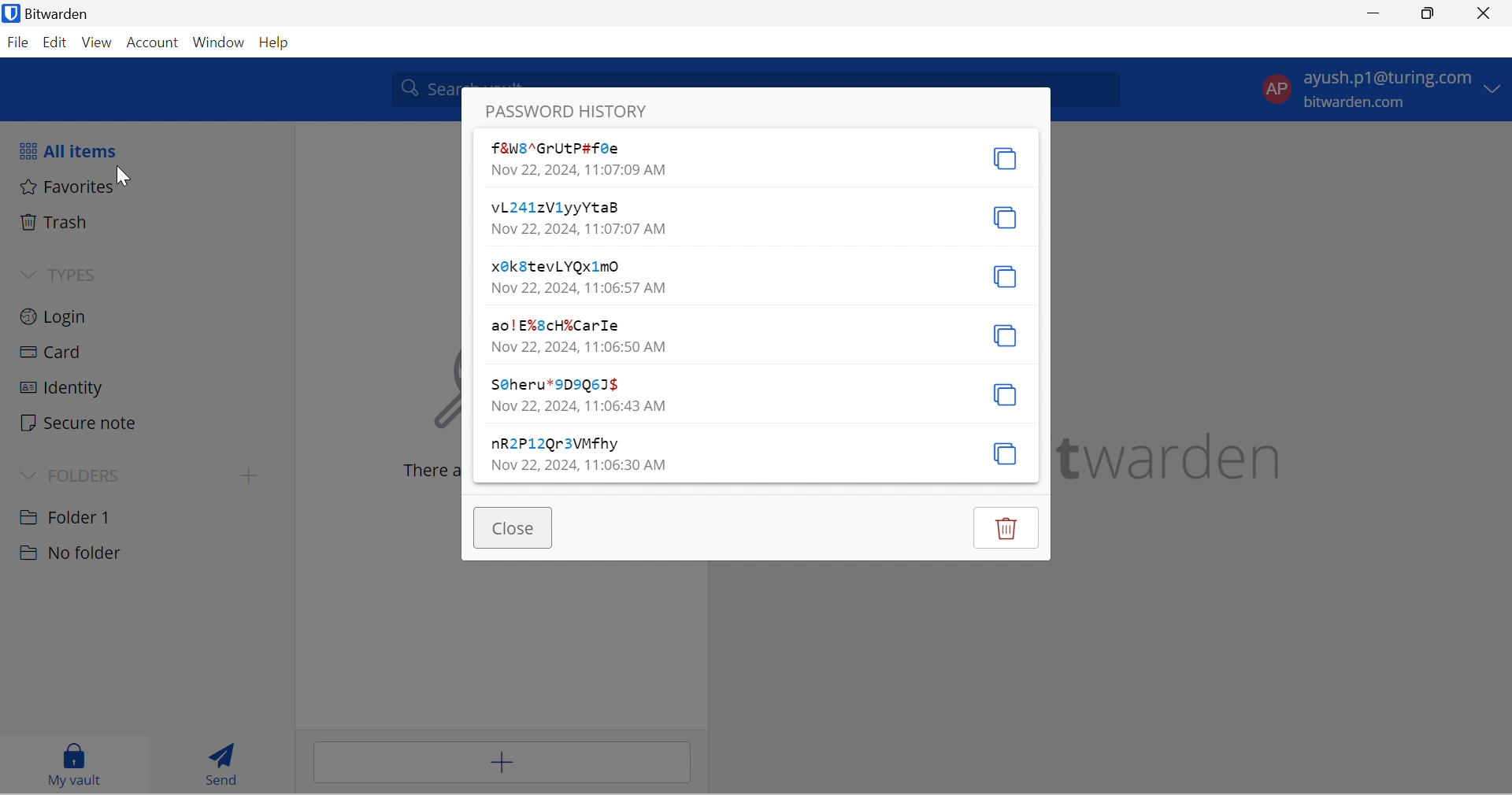 The image size is (1512, 795). I want to click on Nov 22, 2024, 11:07:07 AM, so click(580, 227).